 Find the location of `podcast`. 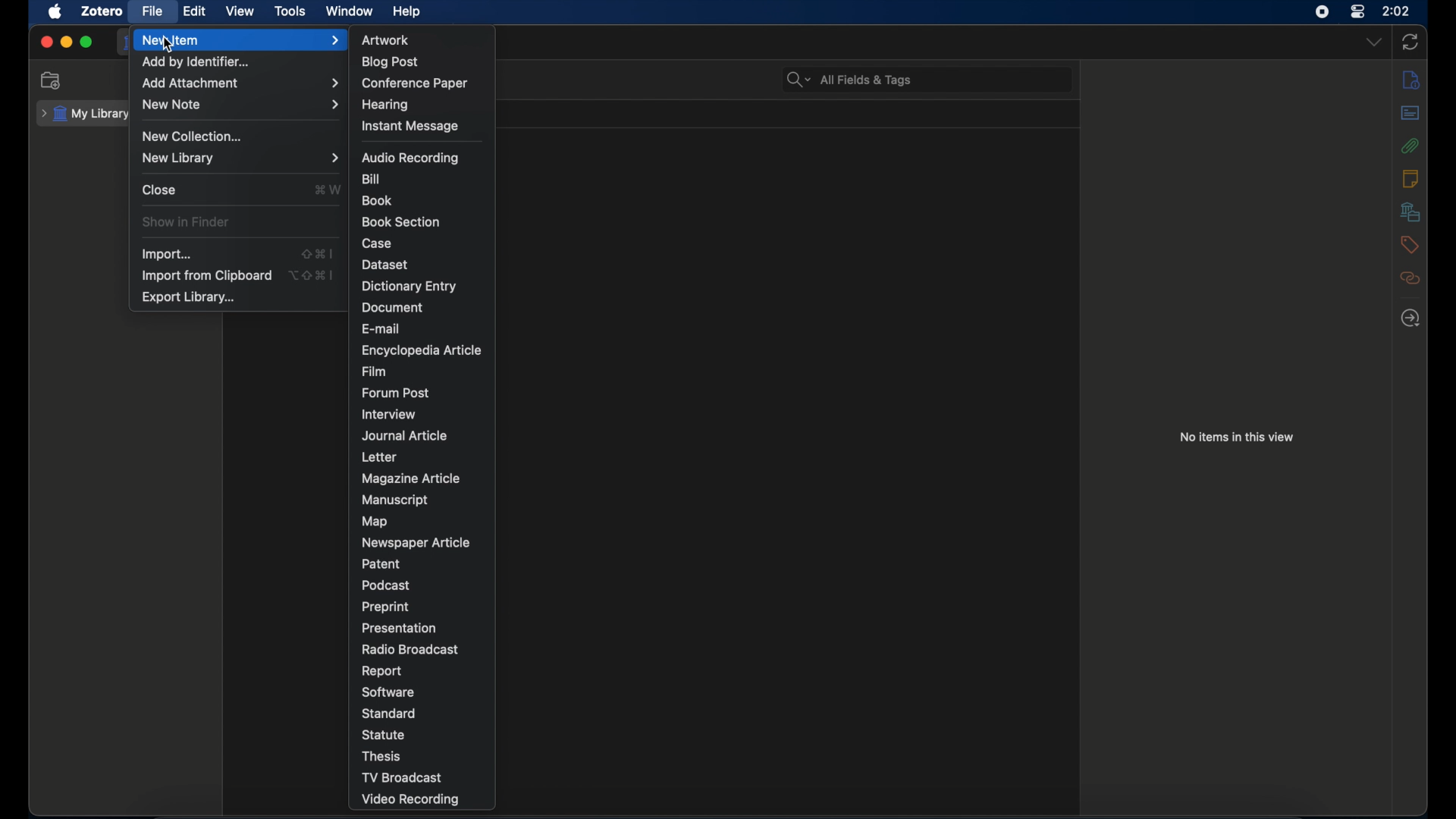

podcast is located at coordinates (387, 585).